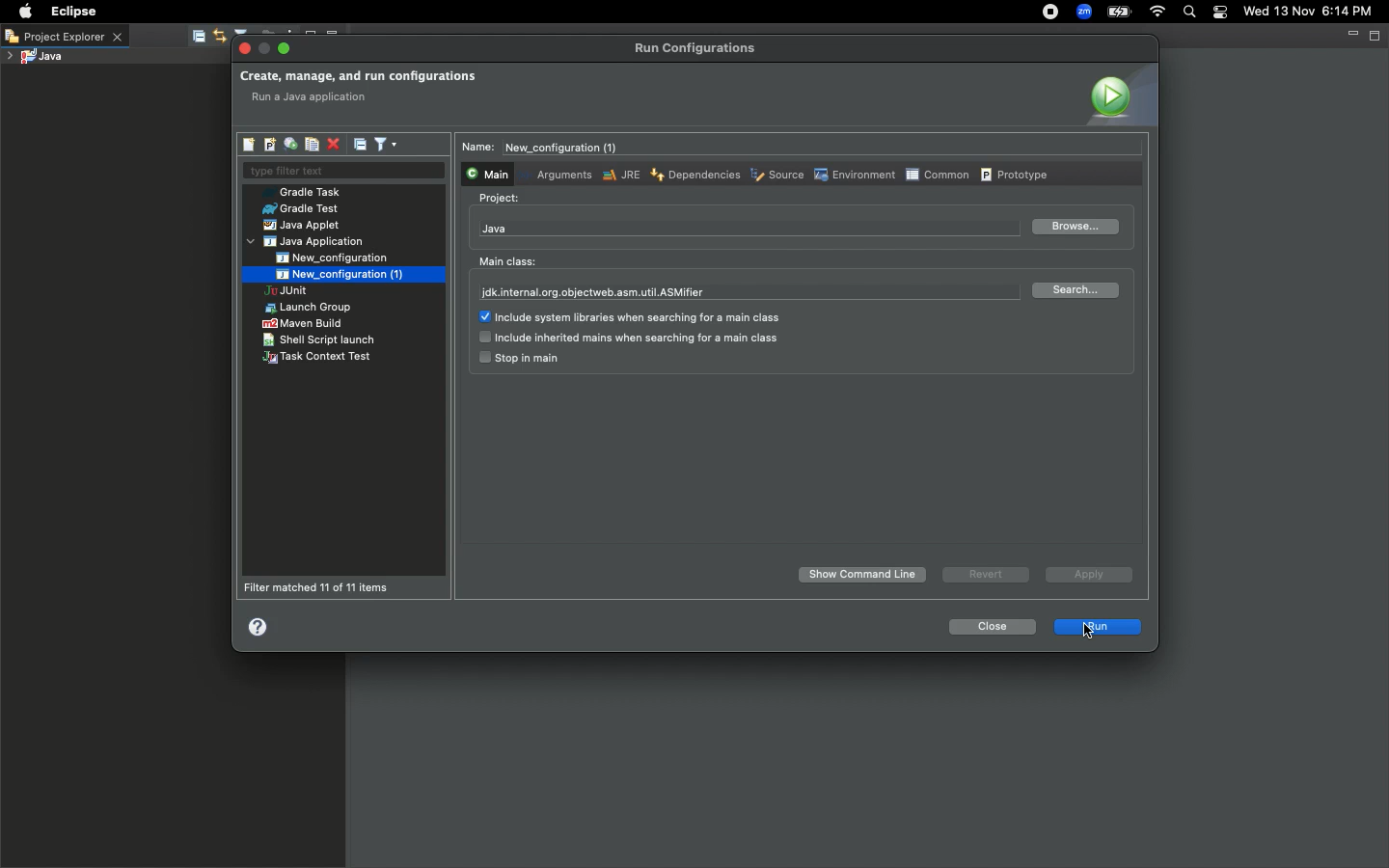 The image size is (1389, 868). I want to click on Zoom, so click(1081, 14).